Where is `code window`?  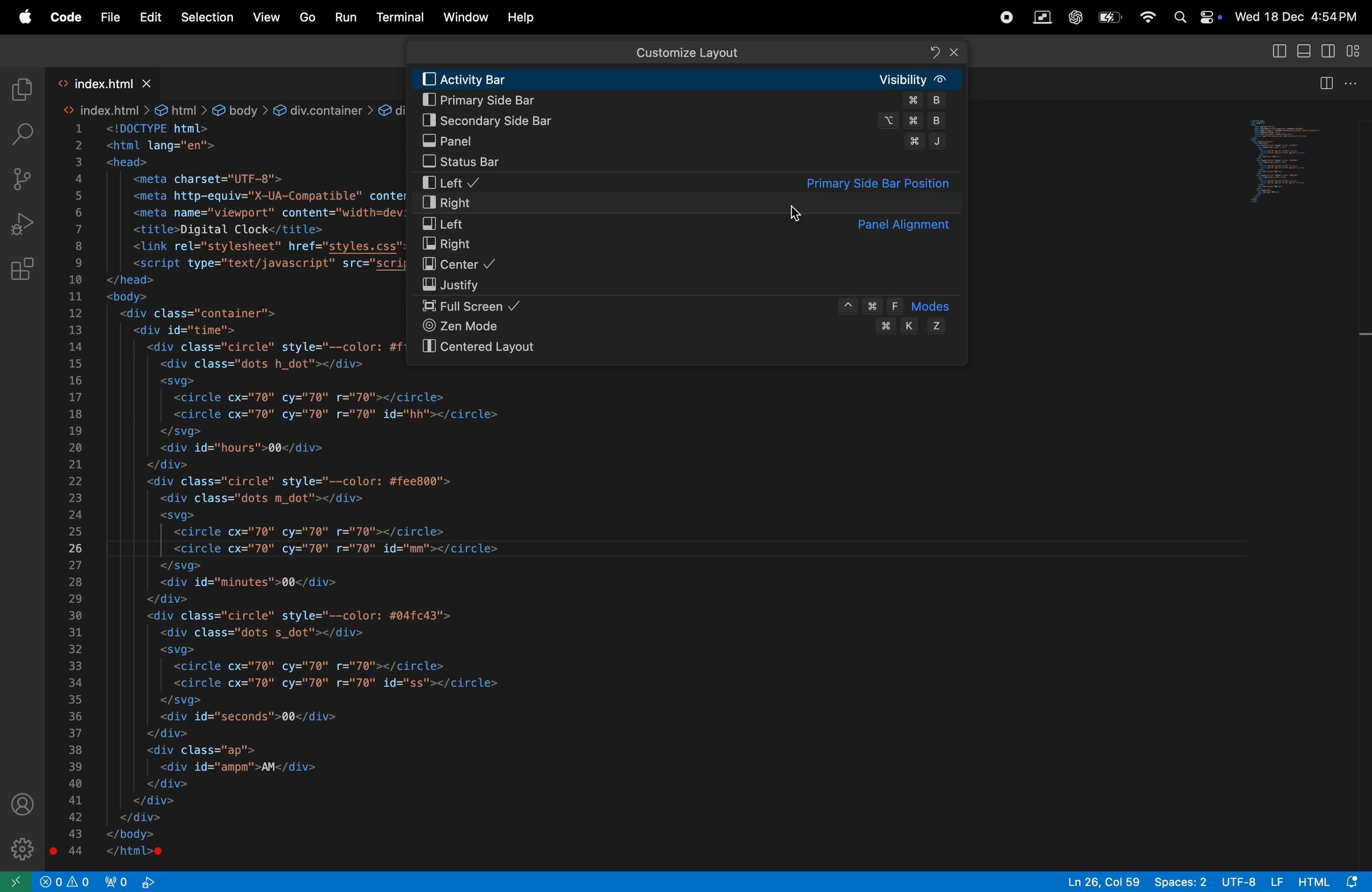 code window is located at coordinates (1304, 159).